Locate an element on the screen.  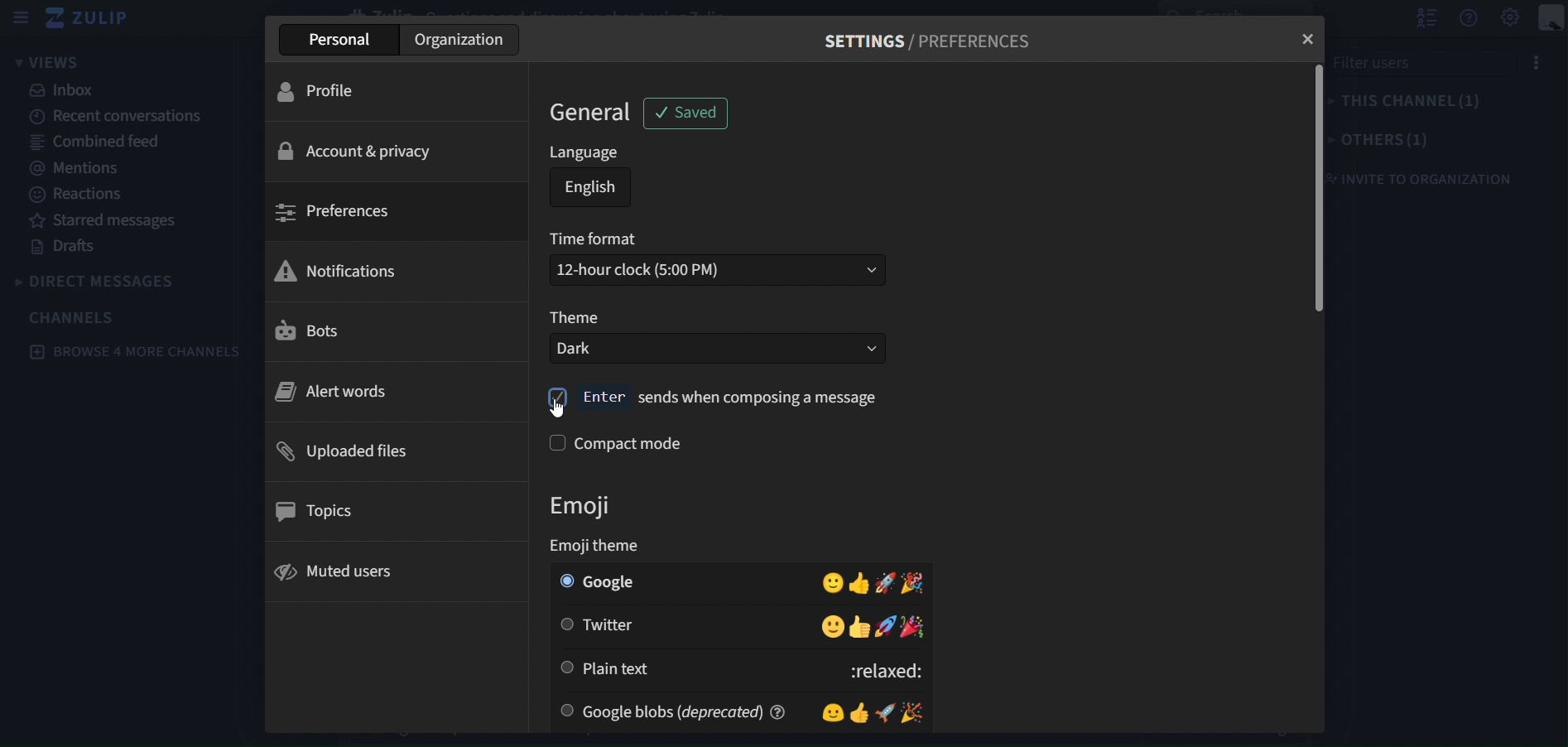
hide user list is located at coordinates (1427, 19).